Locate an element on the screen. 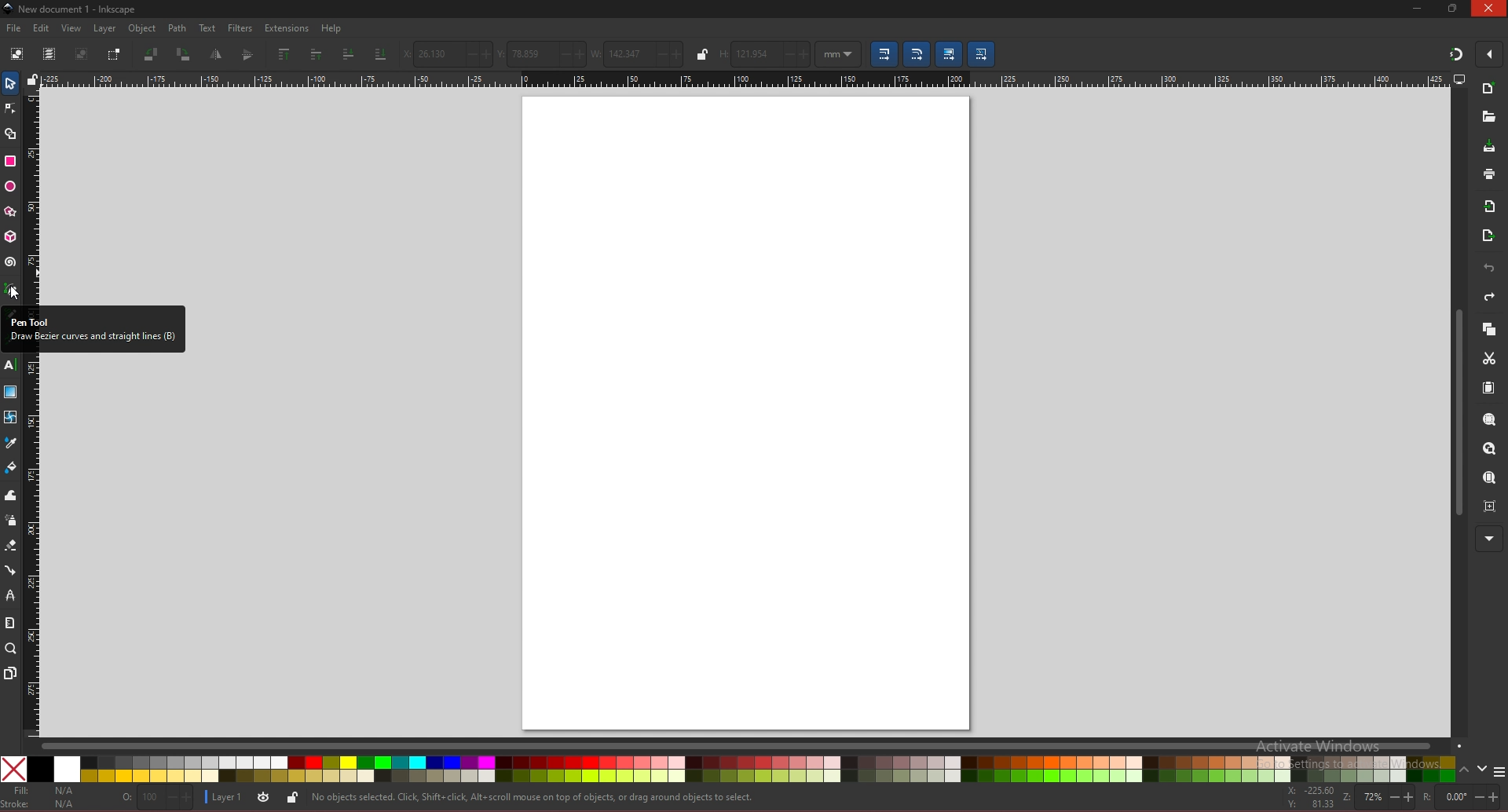 The image size is (1508, 812). redo is located at coordinates (1489, 297).